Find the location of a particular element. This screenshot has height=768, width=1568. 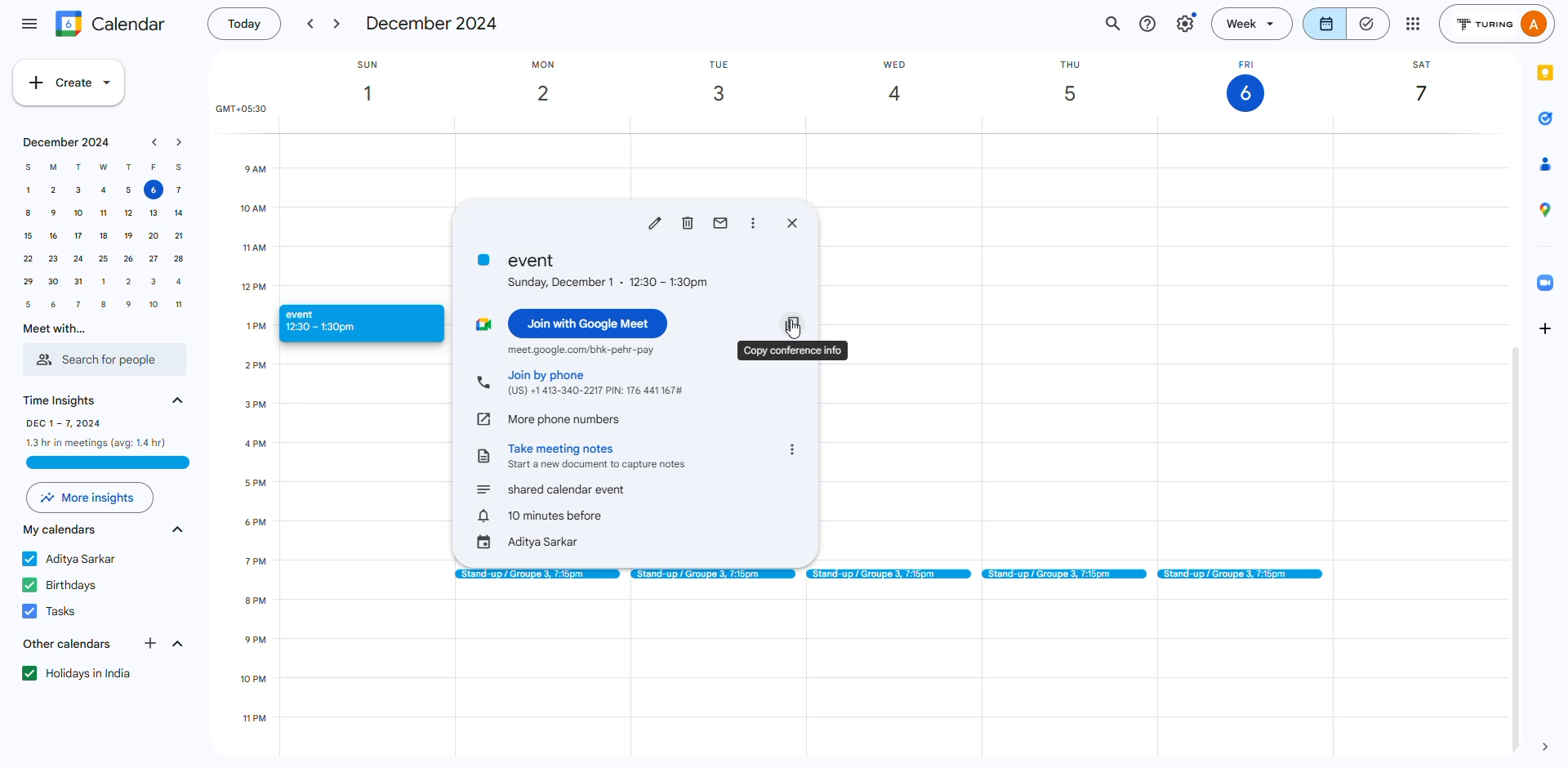

4 is located at coordinates (103, 190).